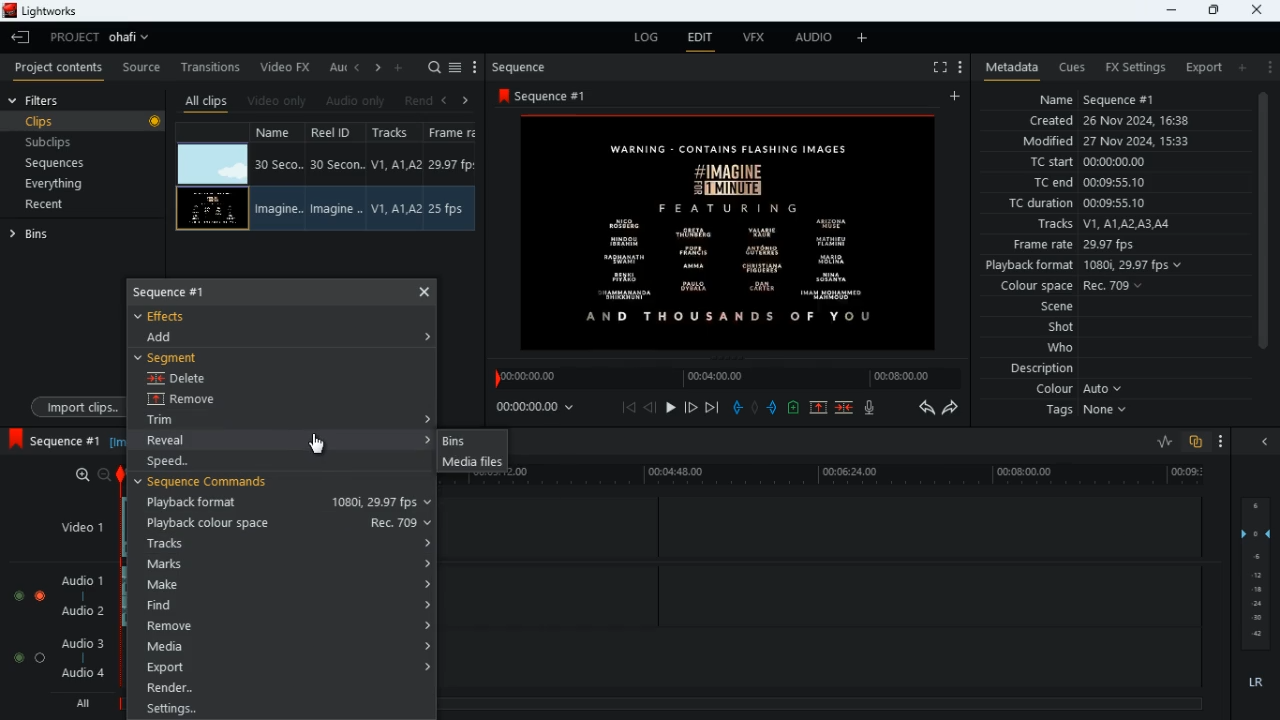 The width and height of the screenshot is (1280, 720). What do you see at coordinates (448, 209) in the screenshot?
I see `Frame Rate` at bounding box center [448, 209].